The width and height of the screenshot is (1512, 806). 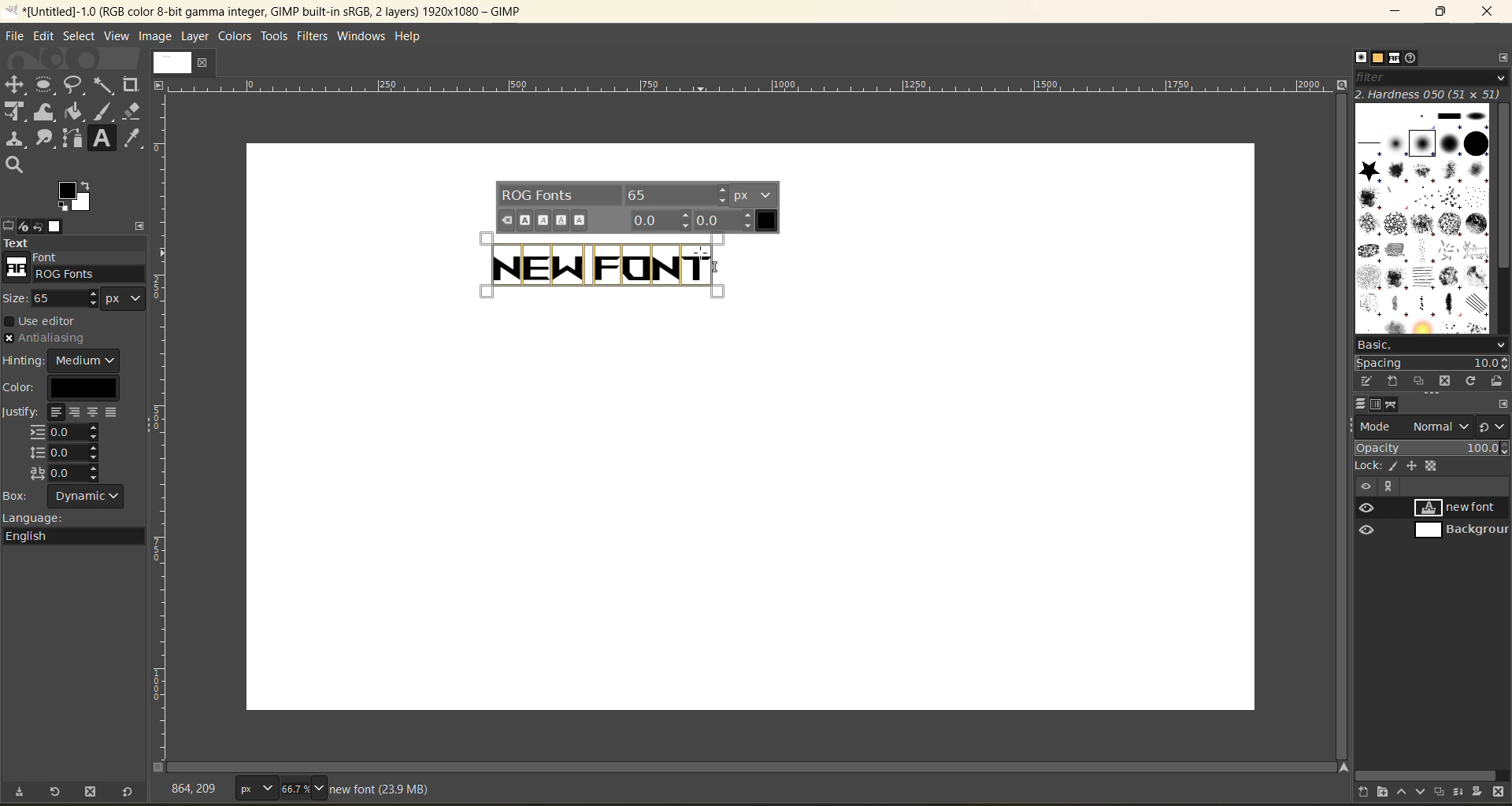 What do you see at coordinates (1503, 60) in the screenshot?
I see `configure` at bounding box center [1503, 60].